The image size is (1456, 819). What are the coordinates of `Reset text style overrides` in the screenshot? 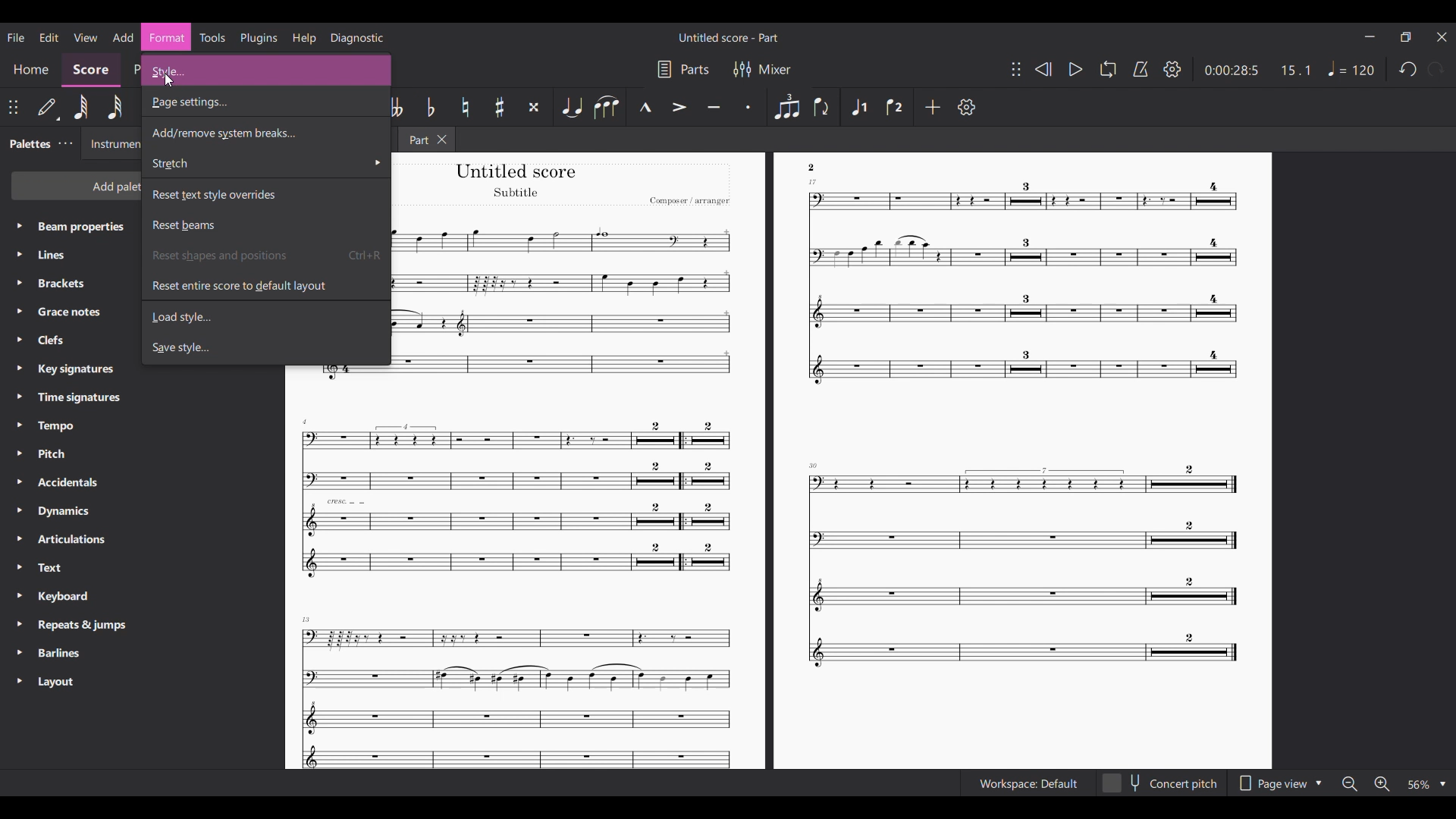 It's located at (266, 194).